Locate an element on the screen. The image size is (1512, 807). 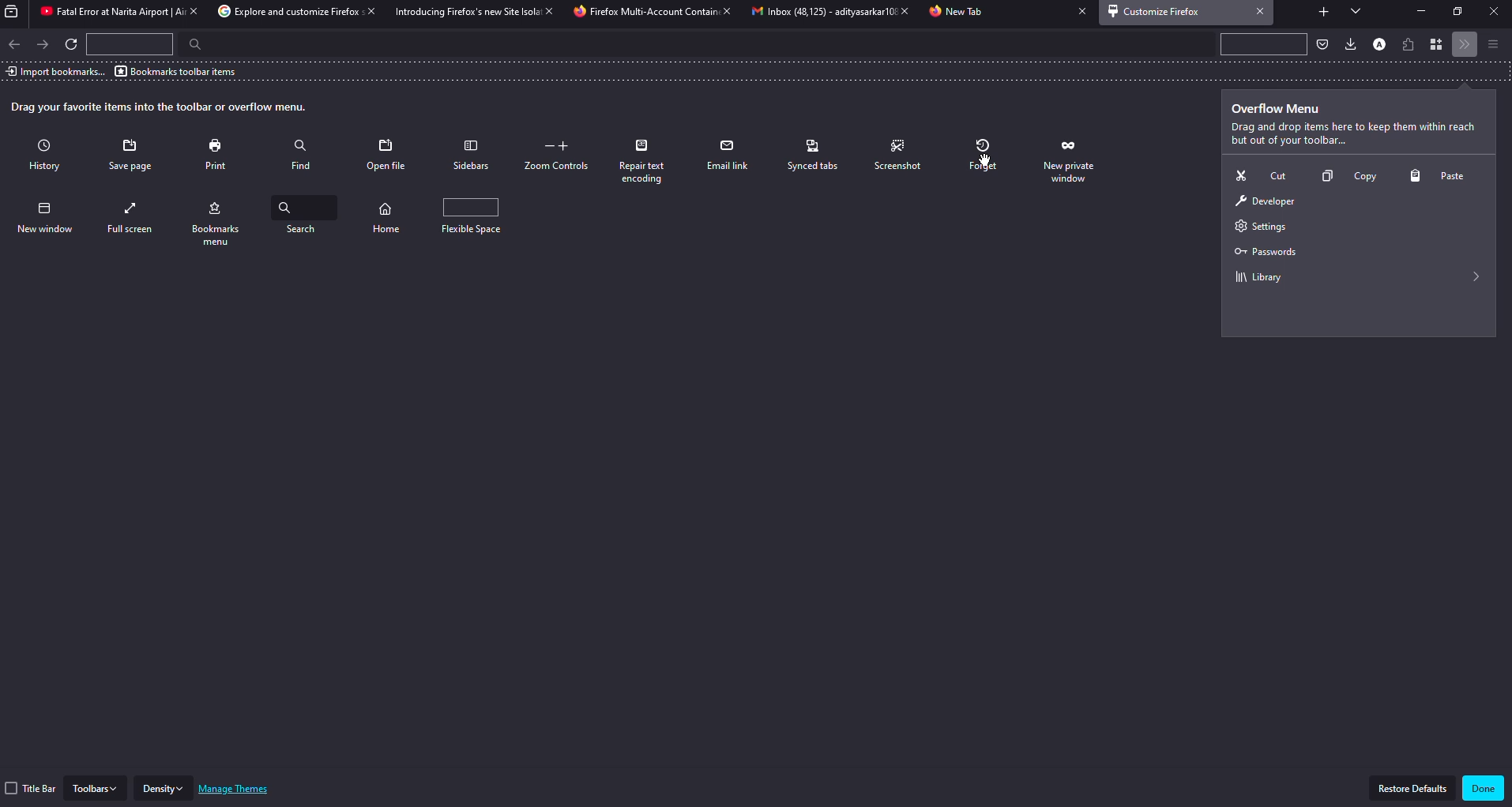
save page is located at coordinates (134, 156).